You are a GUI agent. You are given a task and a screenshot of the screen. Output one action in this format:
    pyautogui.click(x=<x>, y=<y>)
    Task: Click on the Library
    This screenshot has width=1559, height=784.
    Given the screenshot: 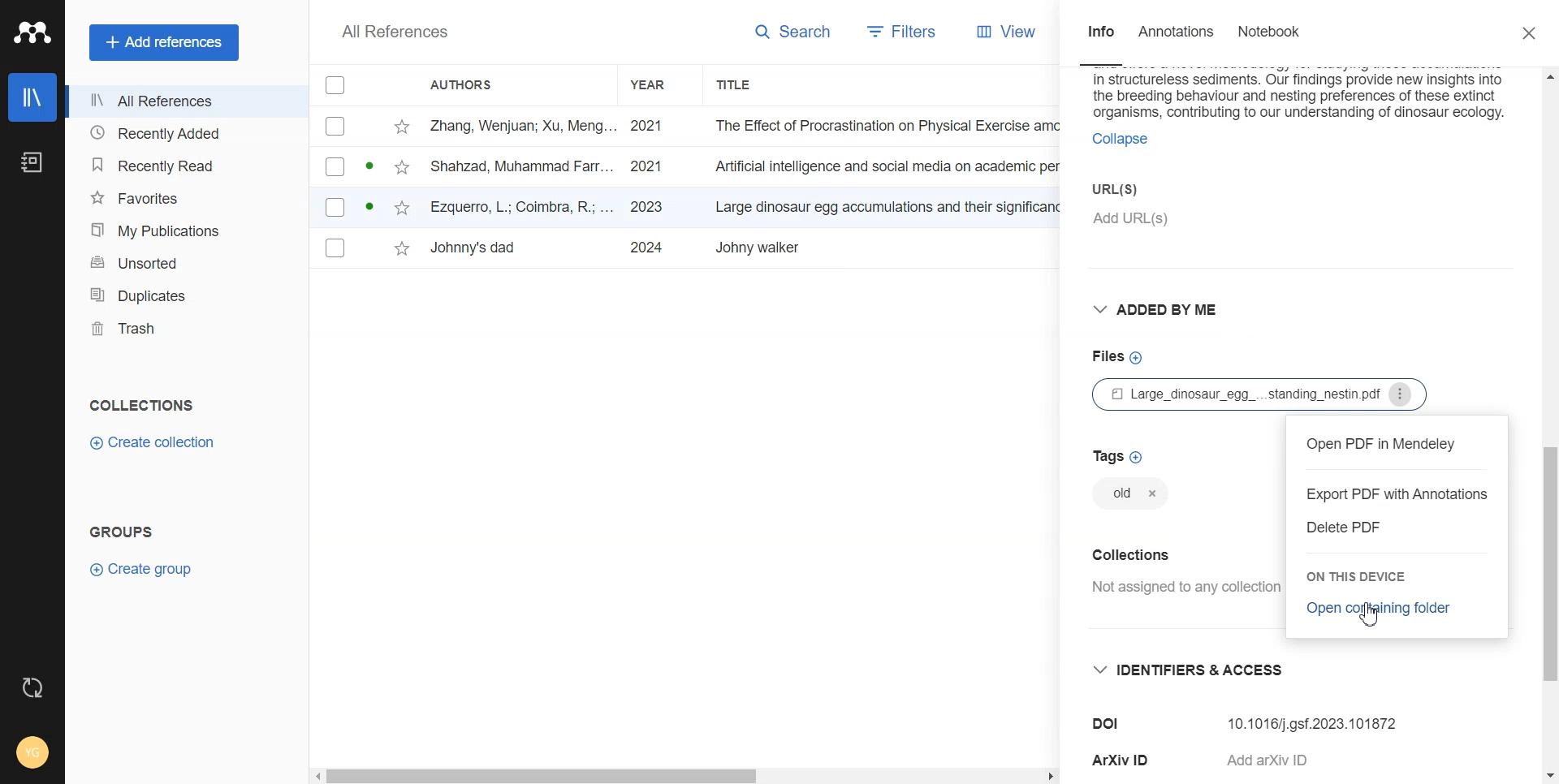 What is the action you would take?
    pyautogui.click(x=32, y=97)
    